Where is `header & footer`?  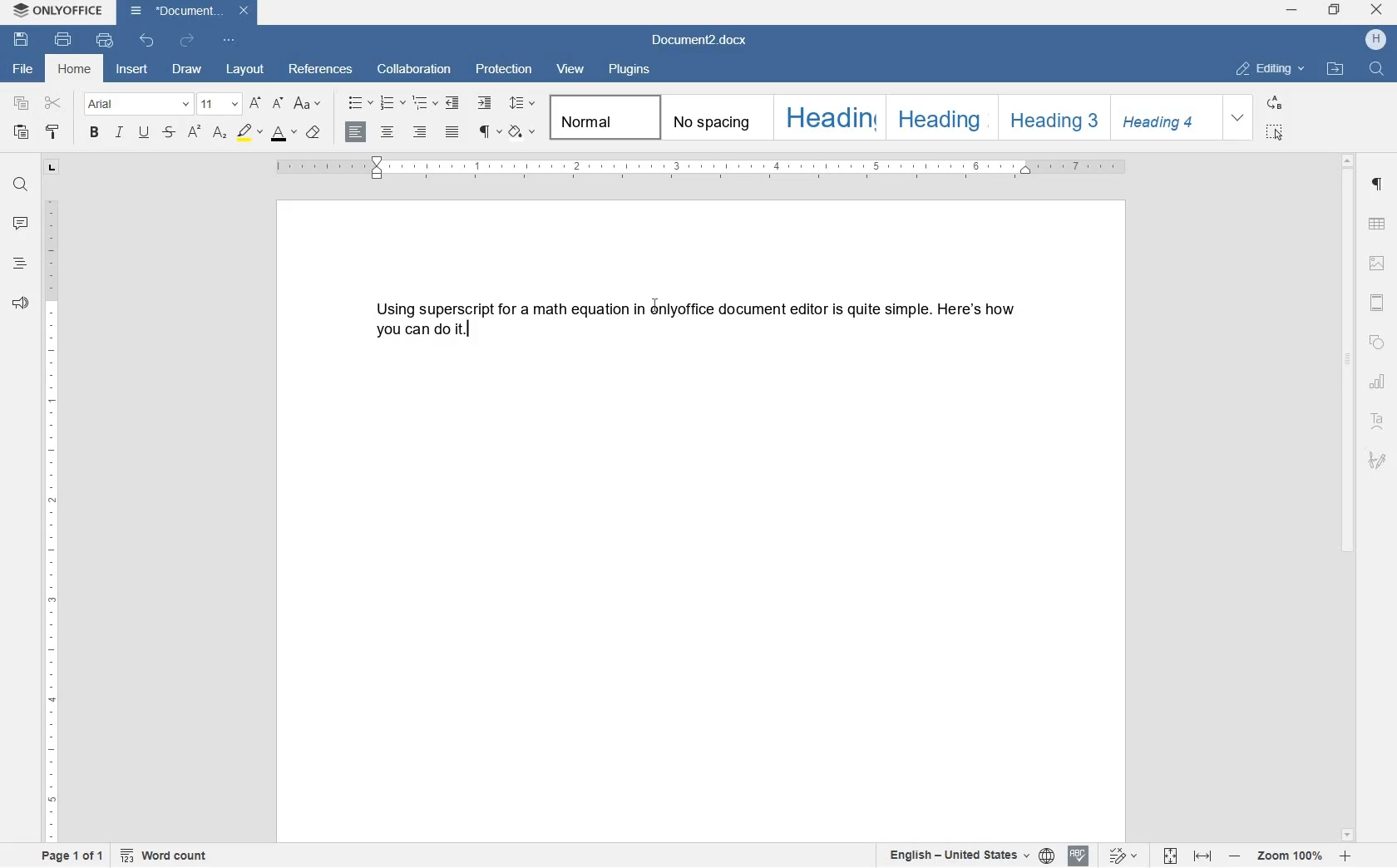
header & footer is located at coordinates (1380, 303).